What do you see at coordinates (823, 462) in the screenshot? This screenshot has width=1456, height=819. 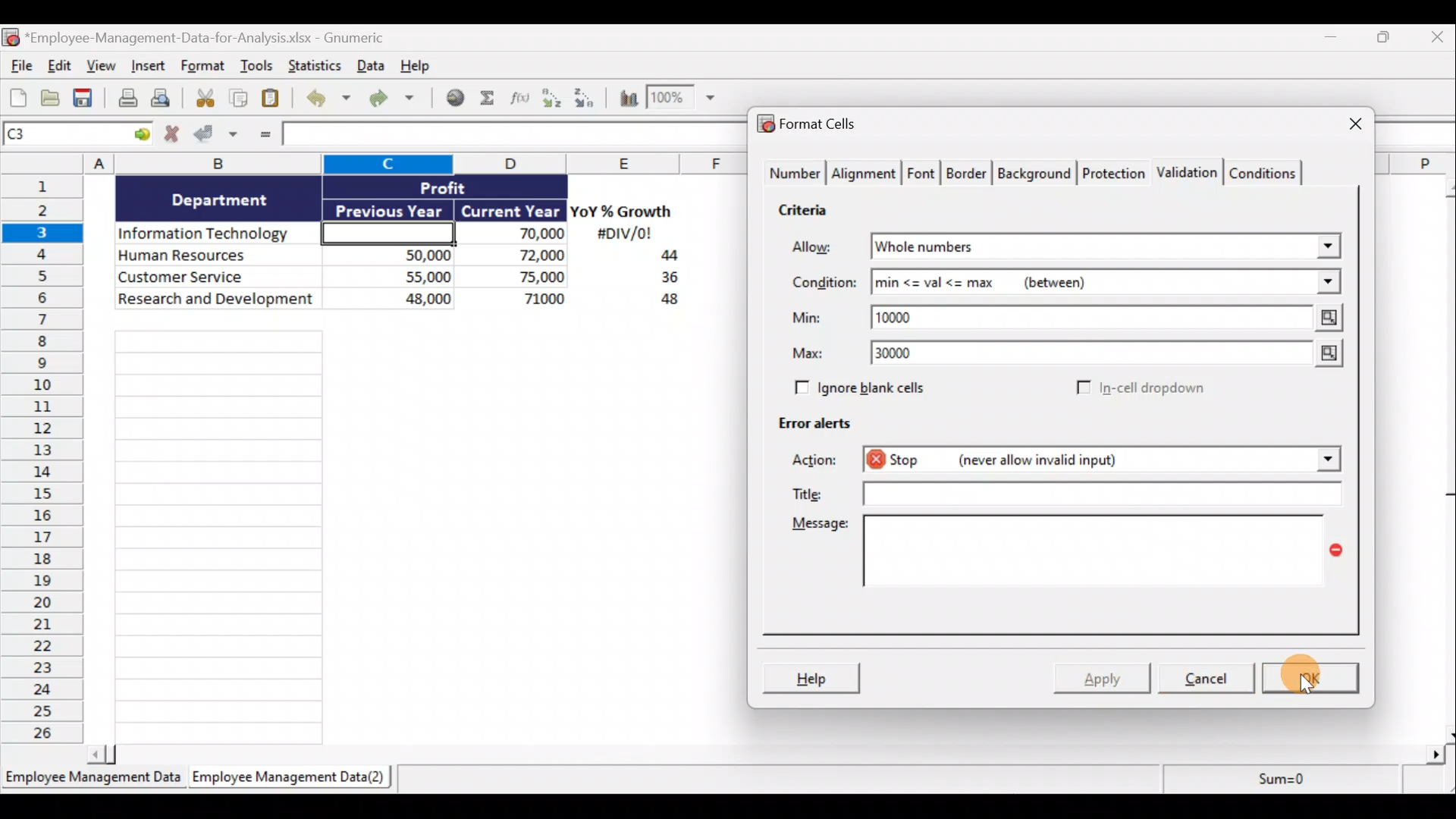 I see `Actions` at bounding box center [823, 462].